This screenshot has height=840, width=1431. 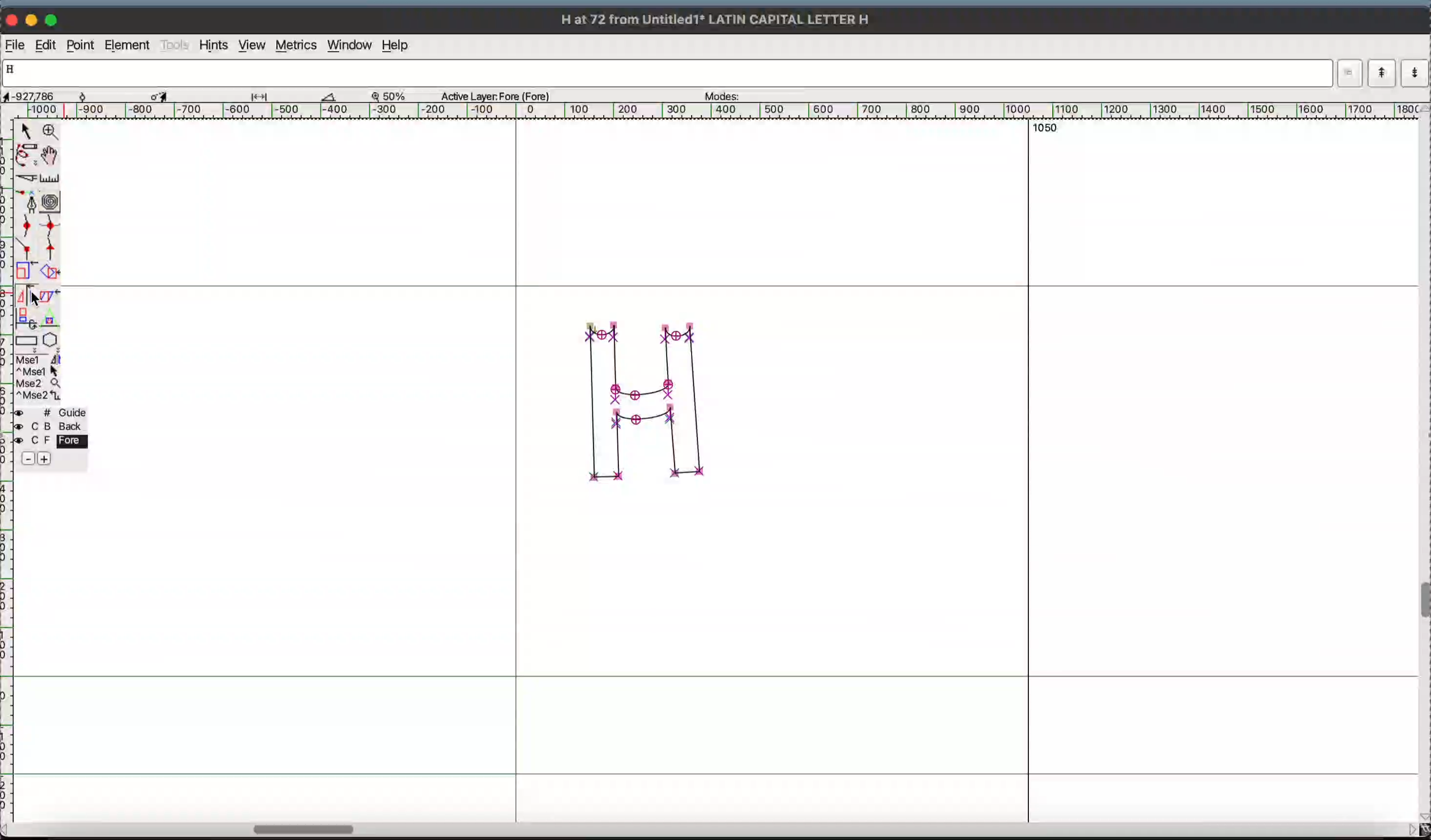 What do you see at coordinates (250, 45) in the screenshot?
I see `view` at bounding box center [250, 45].